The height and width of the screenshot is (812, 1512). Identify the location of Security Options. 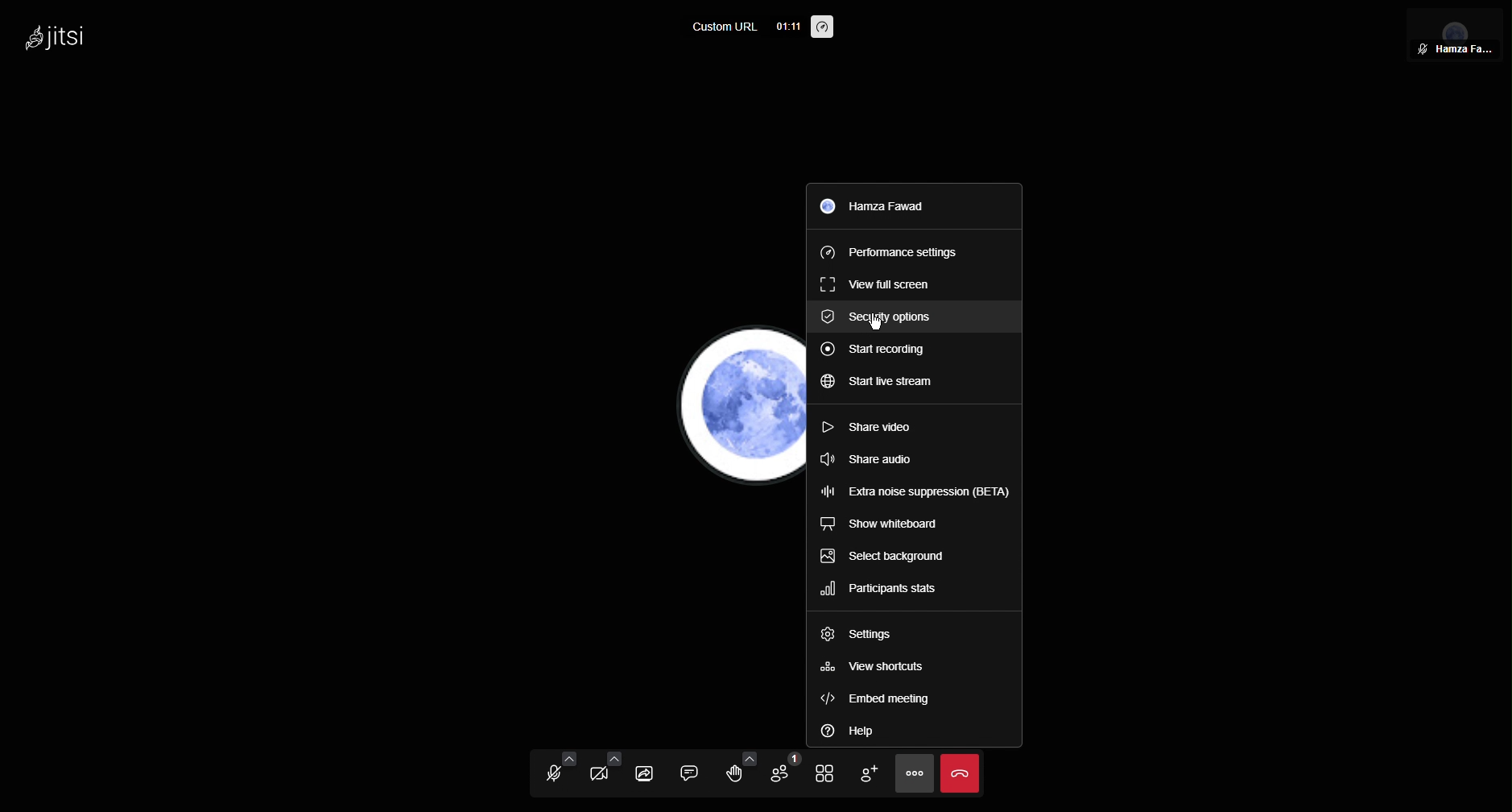
(881, 314).